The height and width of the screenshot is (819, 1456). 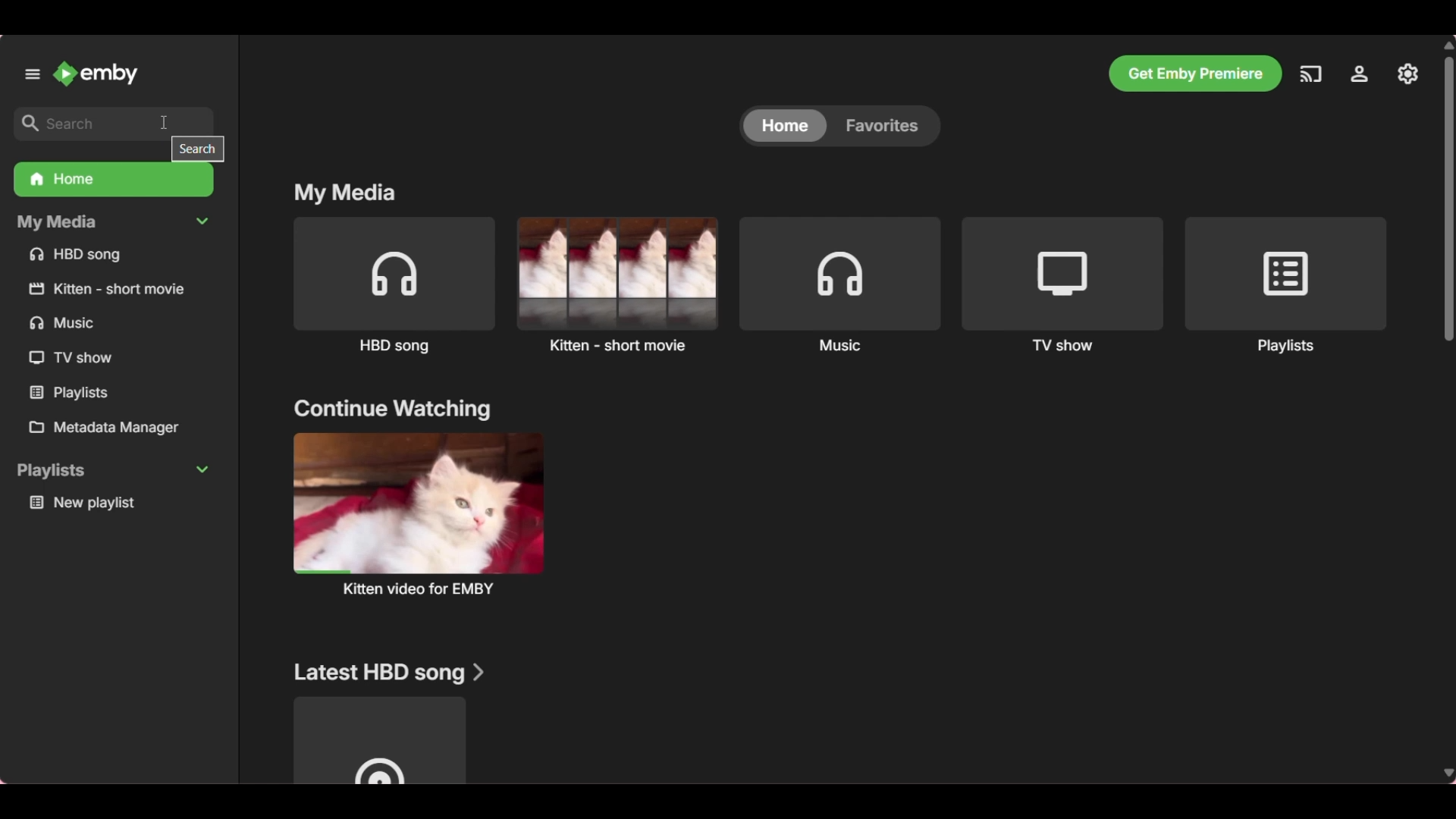 What do you see at coordinates (69, 324) in the screenshot?
I see ` Music` at bounding box center [69, 324].